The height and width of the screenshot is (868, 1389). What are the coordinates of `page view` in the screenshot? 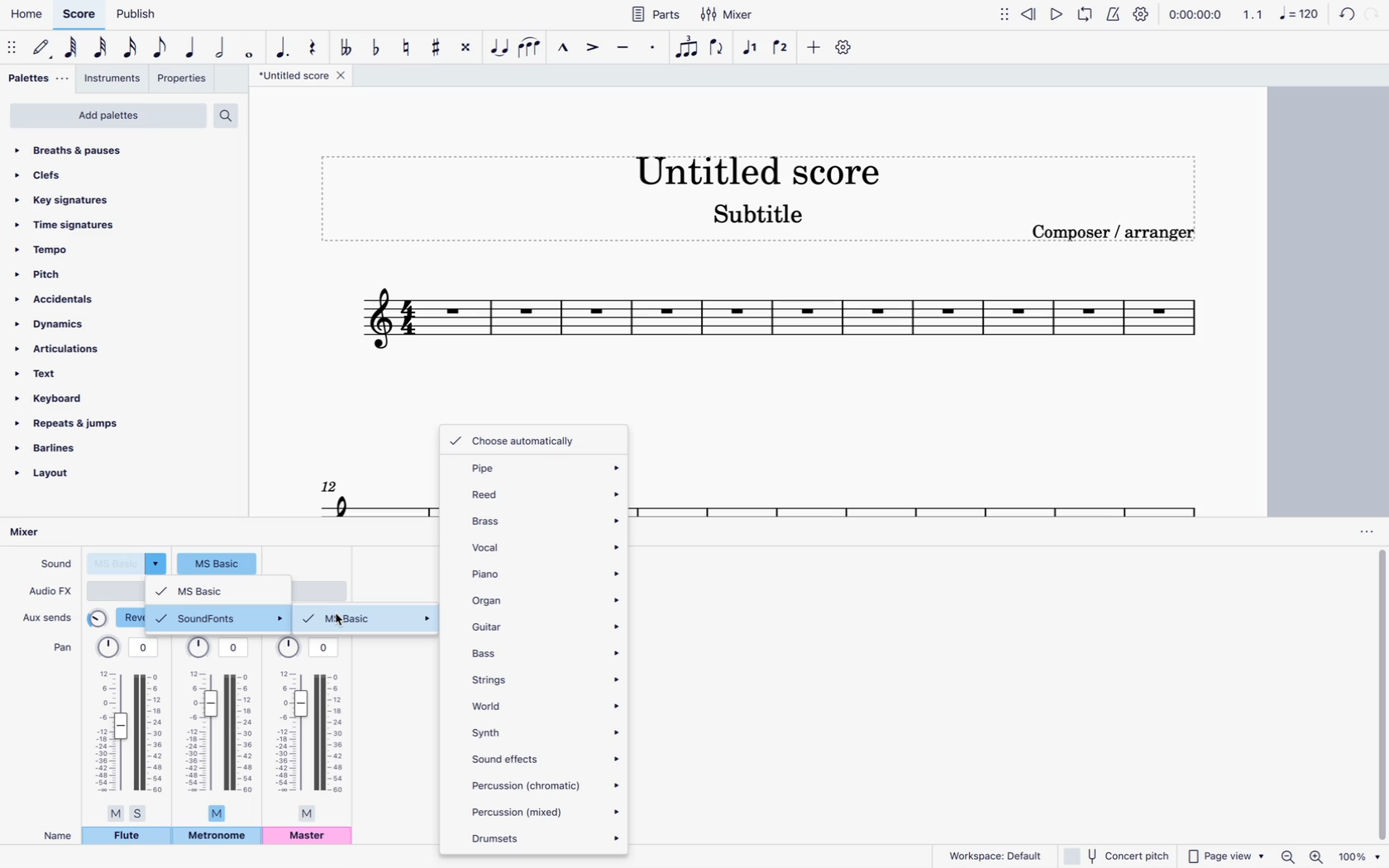 It's located at (1225, 853).